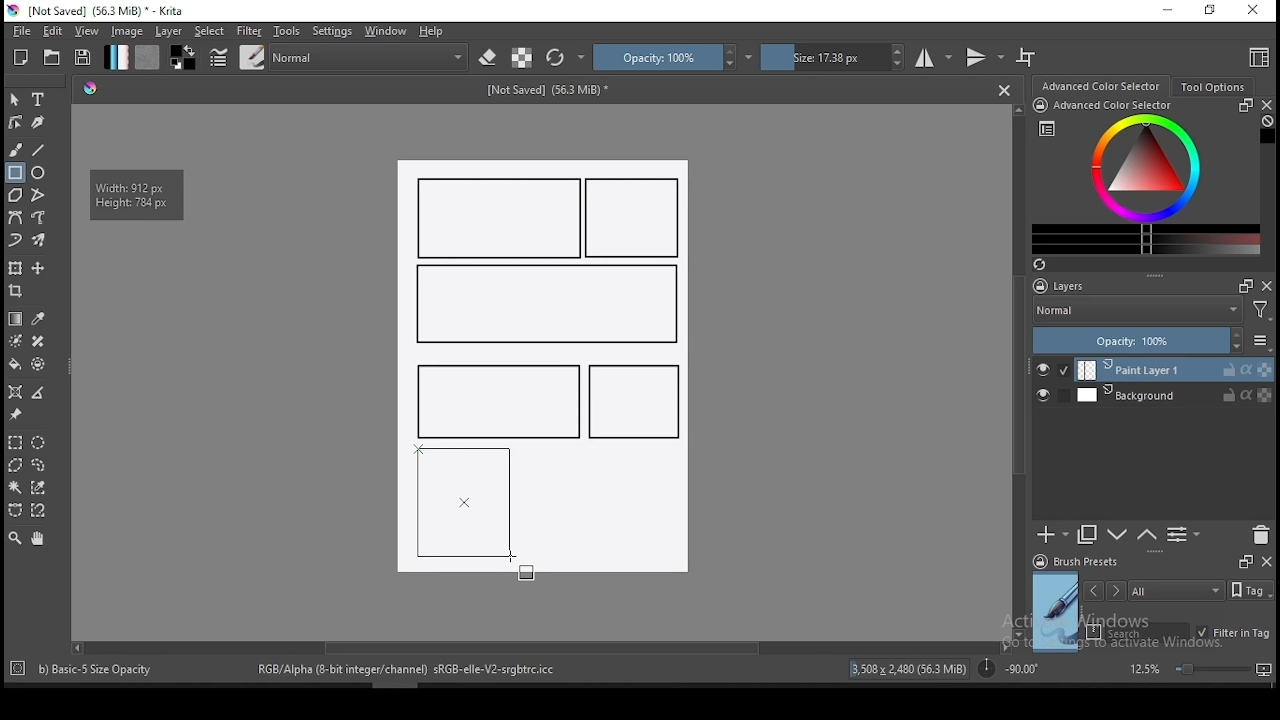 This screenshot has width=1280, height=720. What do you see at coordinates (15, 173) in the screenshot?
I see `rectangle tool` at bounding box center [15, 173].